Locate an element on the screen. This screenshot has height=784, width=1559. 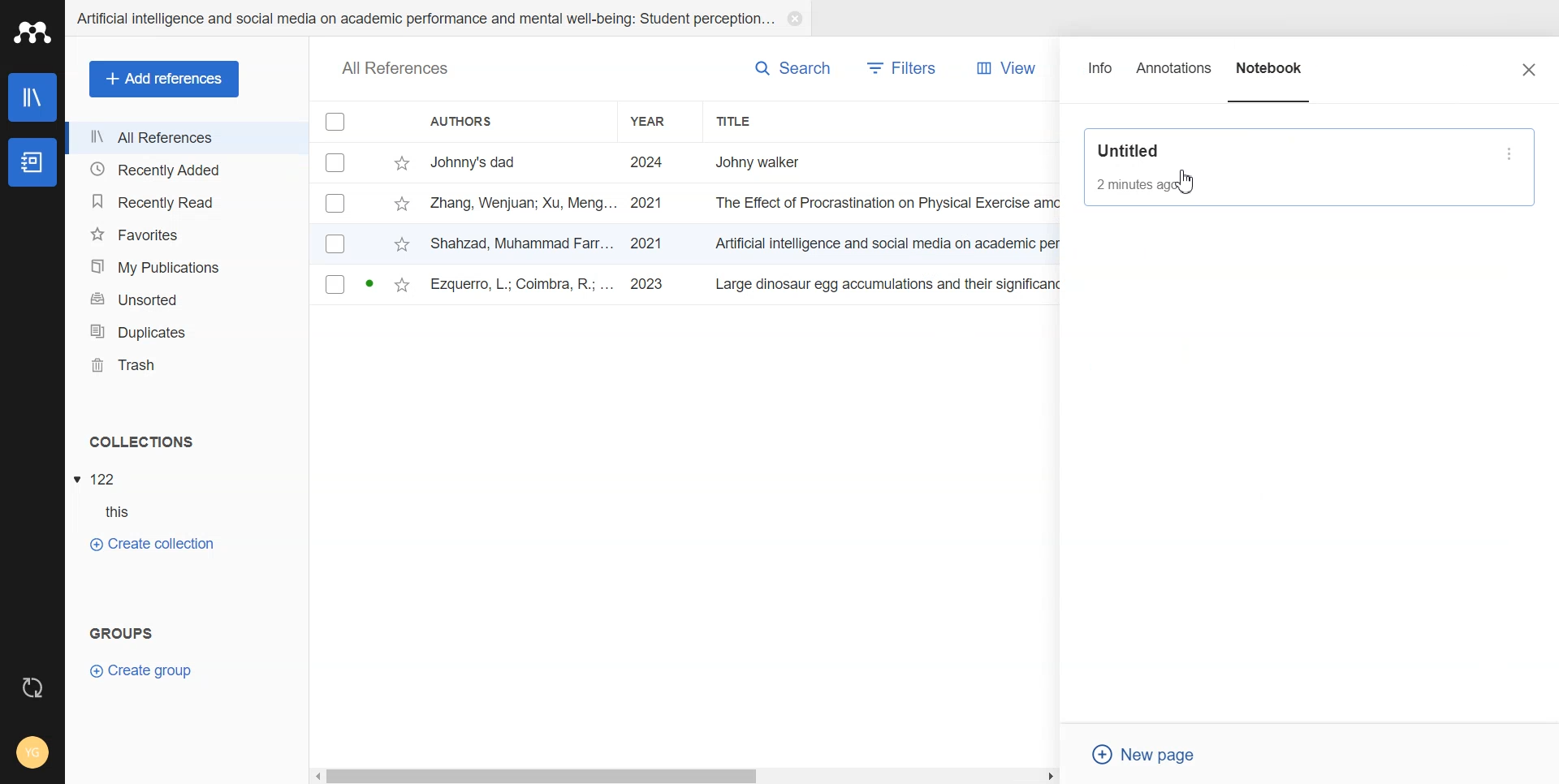
Checkbox is located at coordinates (337, 121).